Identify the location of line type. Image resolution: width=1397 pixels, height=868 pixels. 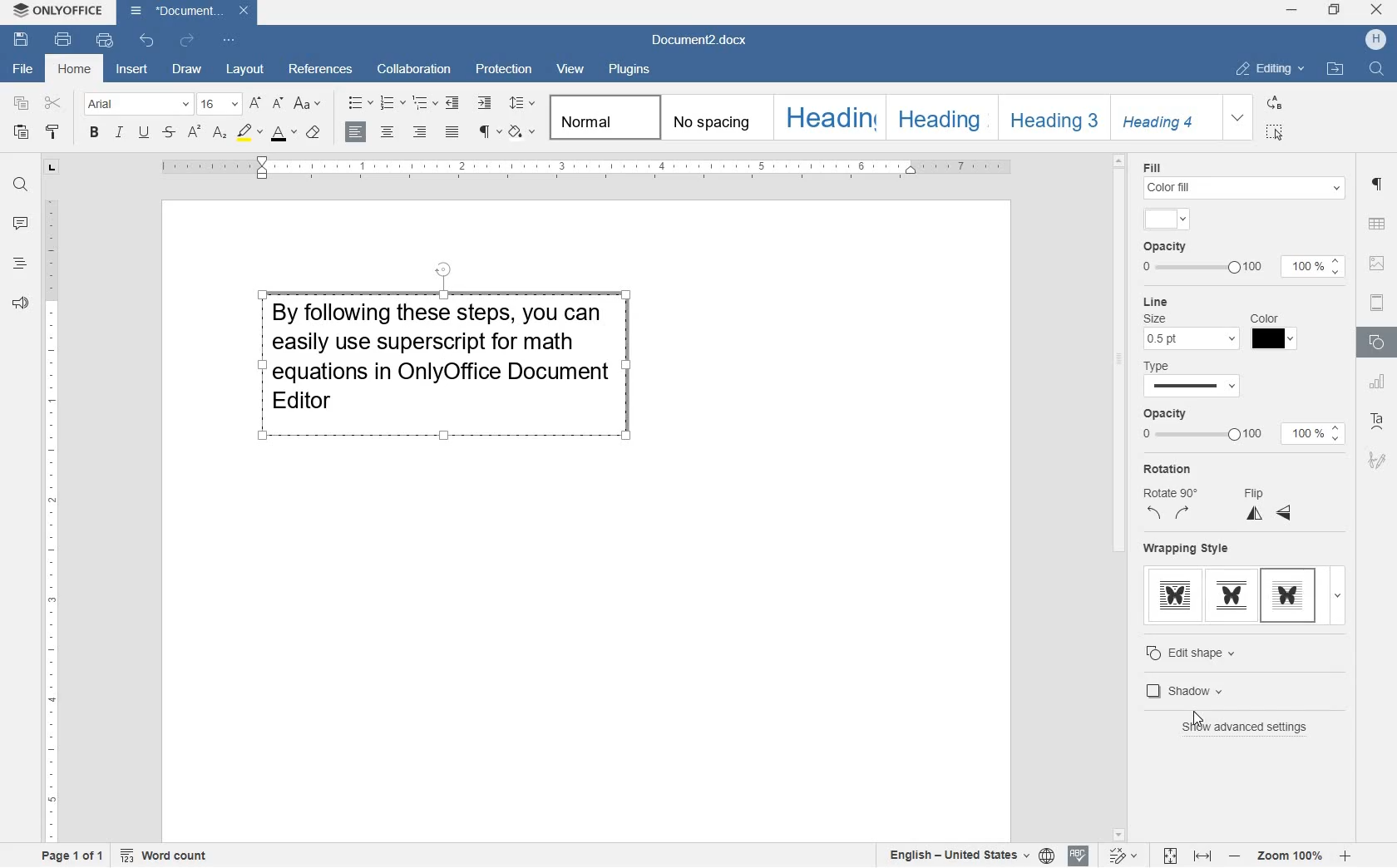
(1204, 379).